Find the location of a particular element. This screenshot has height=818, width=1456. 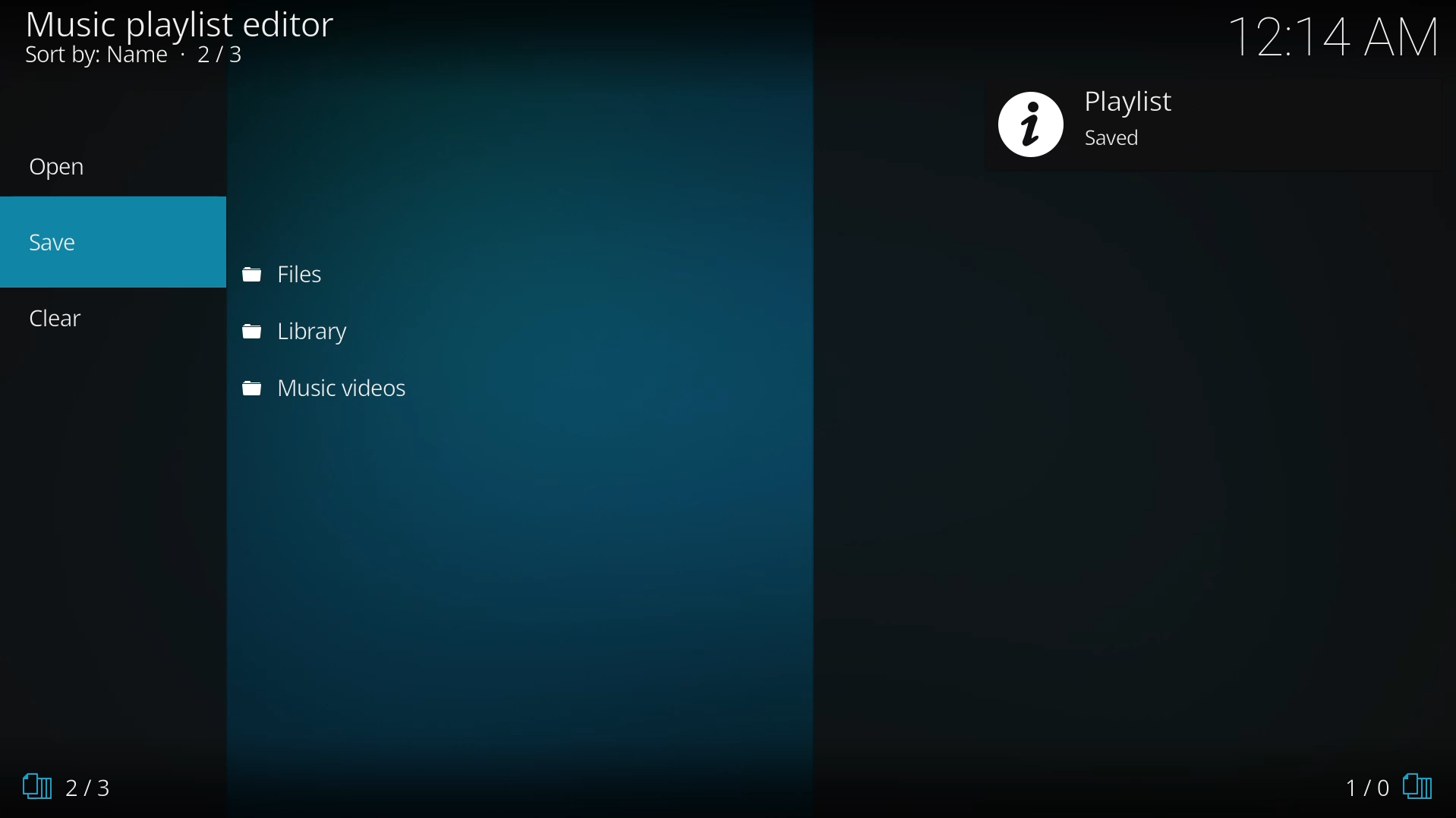

2/3 is located at coordinates (66, 785).